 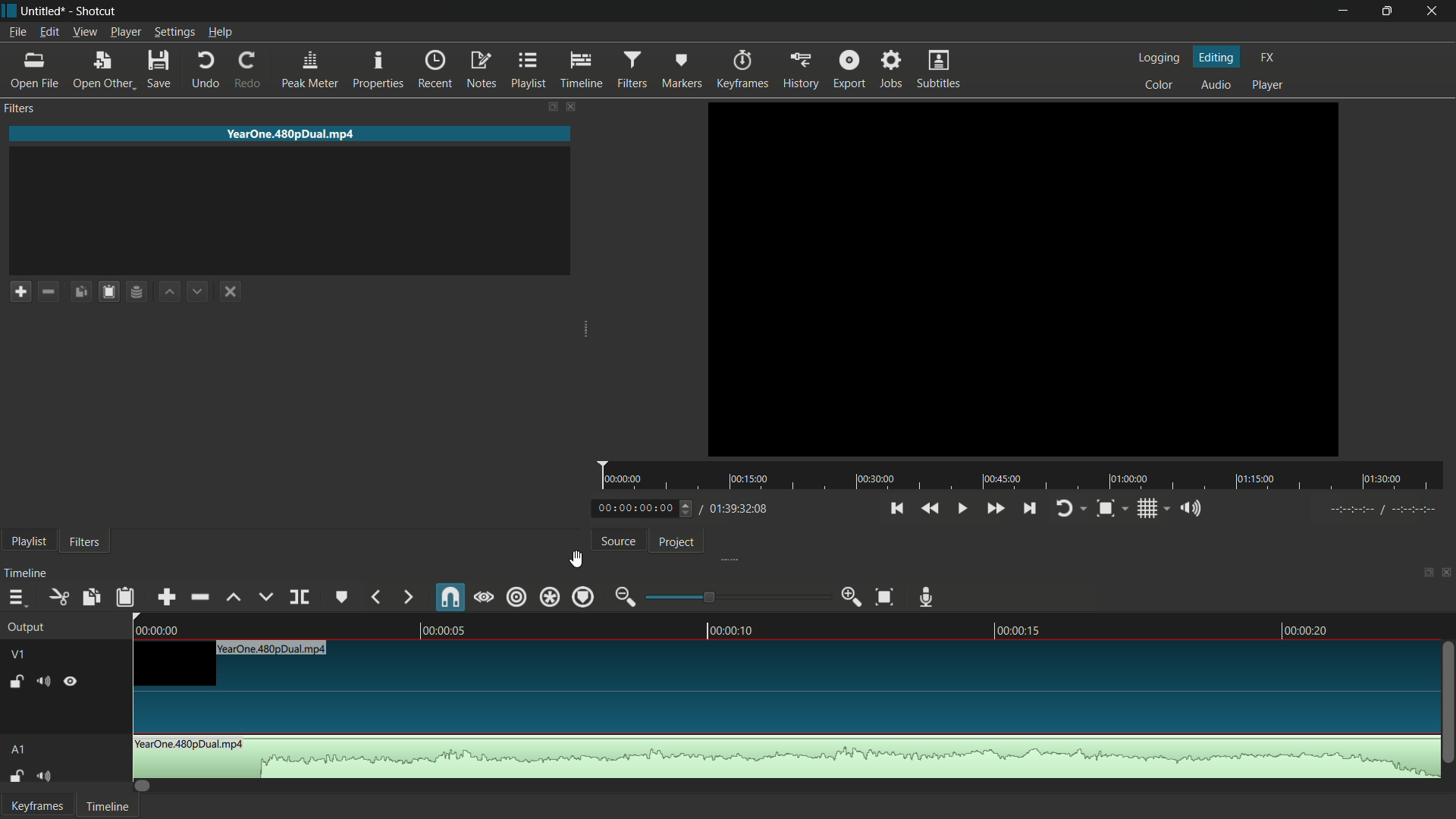 I want to click on project, so click(x=679, y=541).